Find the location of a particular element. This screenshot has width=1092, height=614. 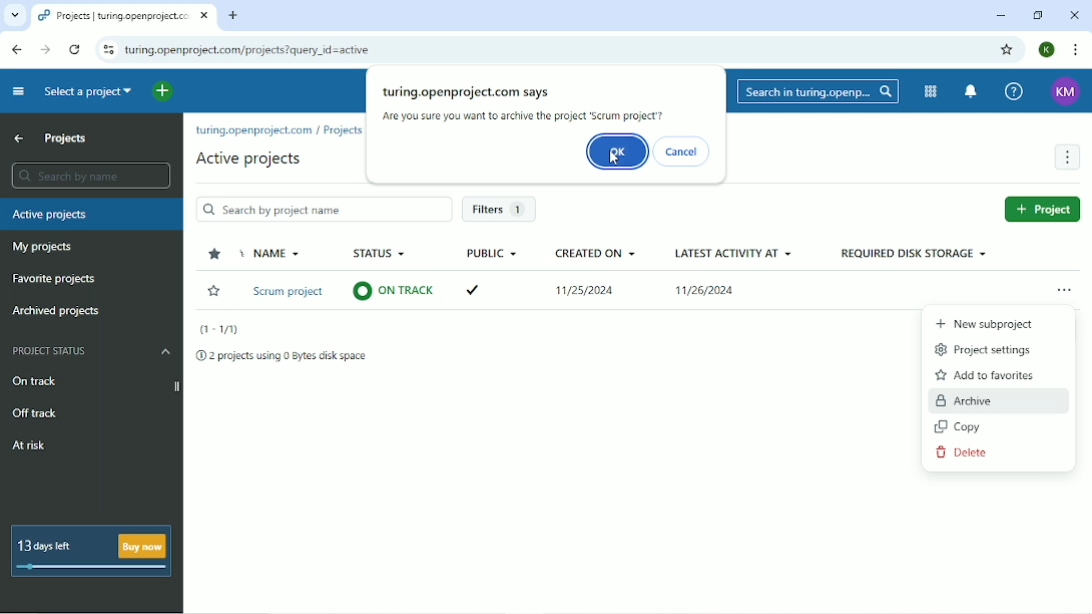

Required disk storage is located at coordinates (912, 254).